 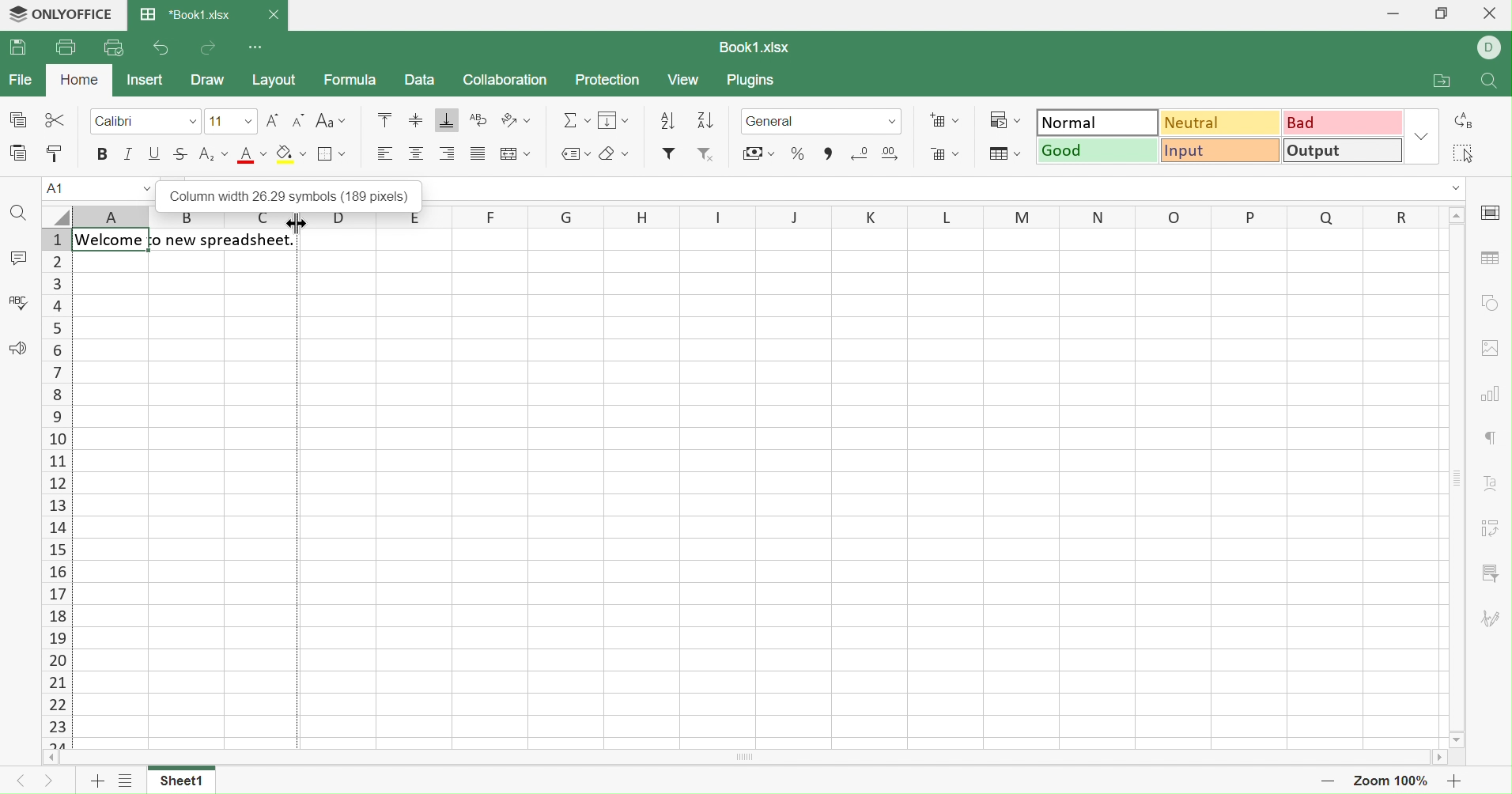 What do you see at coordinates (667, 121) in the screenshot?
I see `Ascending order` at bounding box center [667, 121].